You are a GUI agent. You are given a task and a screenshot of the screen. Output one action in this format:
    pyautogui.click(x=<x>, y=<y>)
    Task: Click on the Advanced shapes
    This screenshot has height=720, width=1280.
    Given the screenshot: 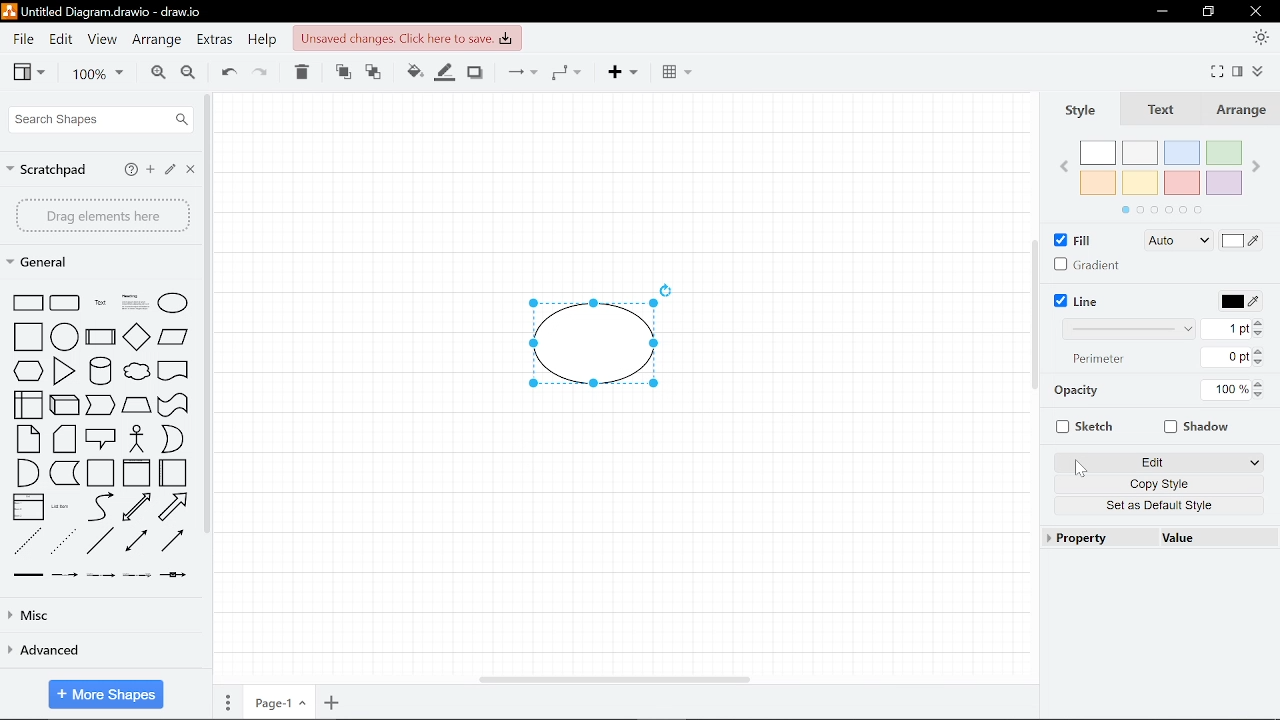 What is the action you would take?
    pyautogui.click(x=94, y=651)
    